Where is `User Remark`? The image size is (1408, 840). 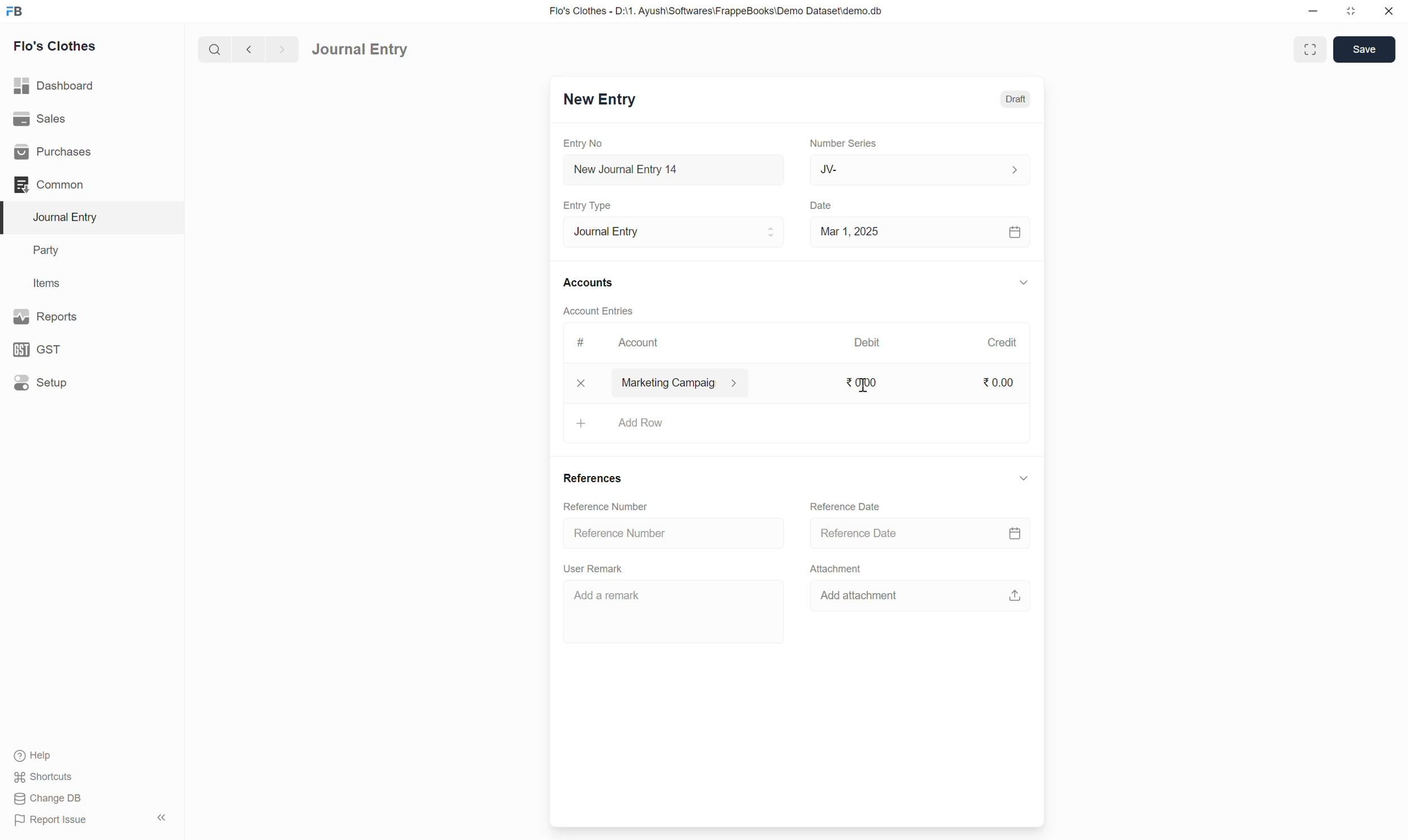 User Remark is located at coordinates (596, 568).